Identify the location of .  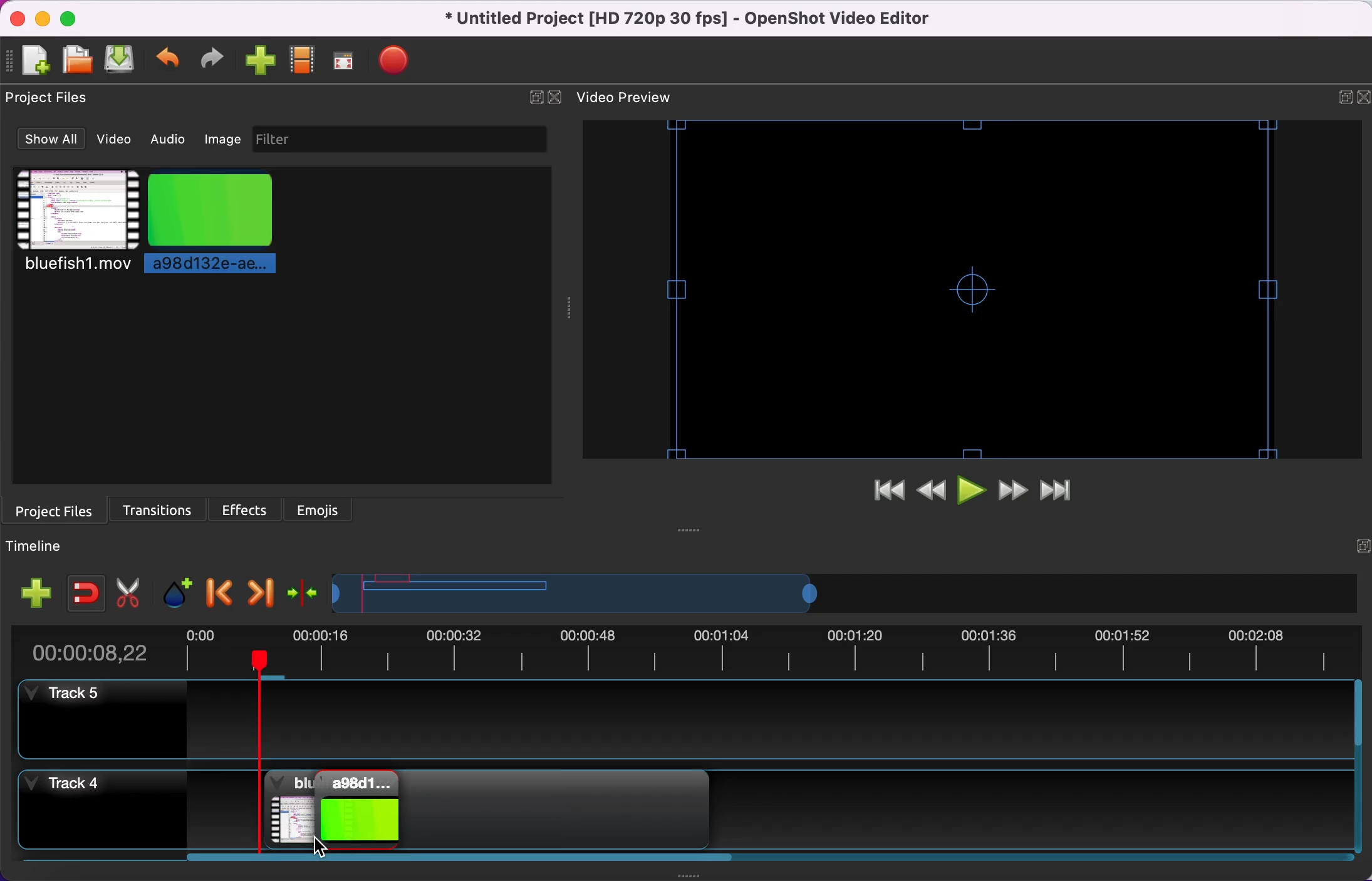
(16, 18).